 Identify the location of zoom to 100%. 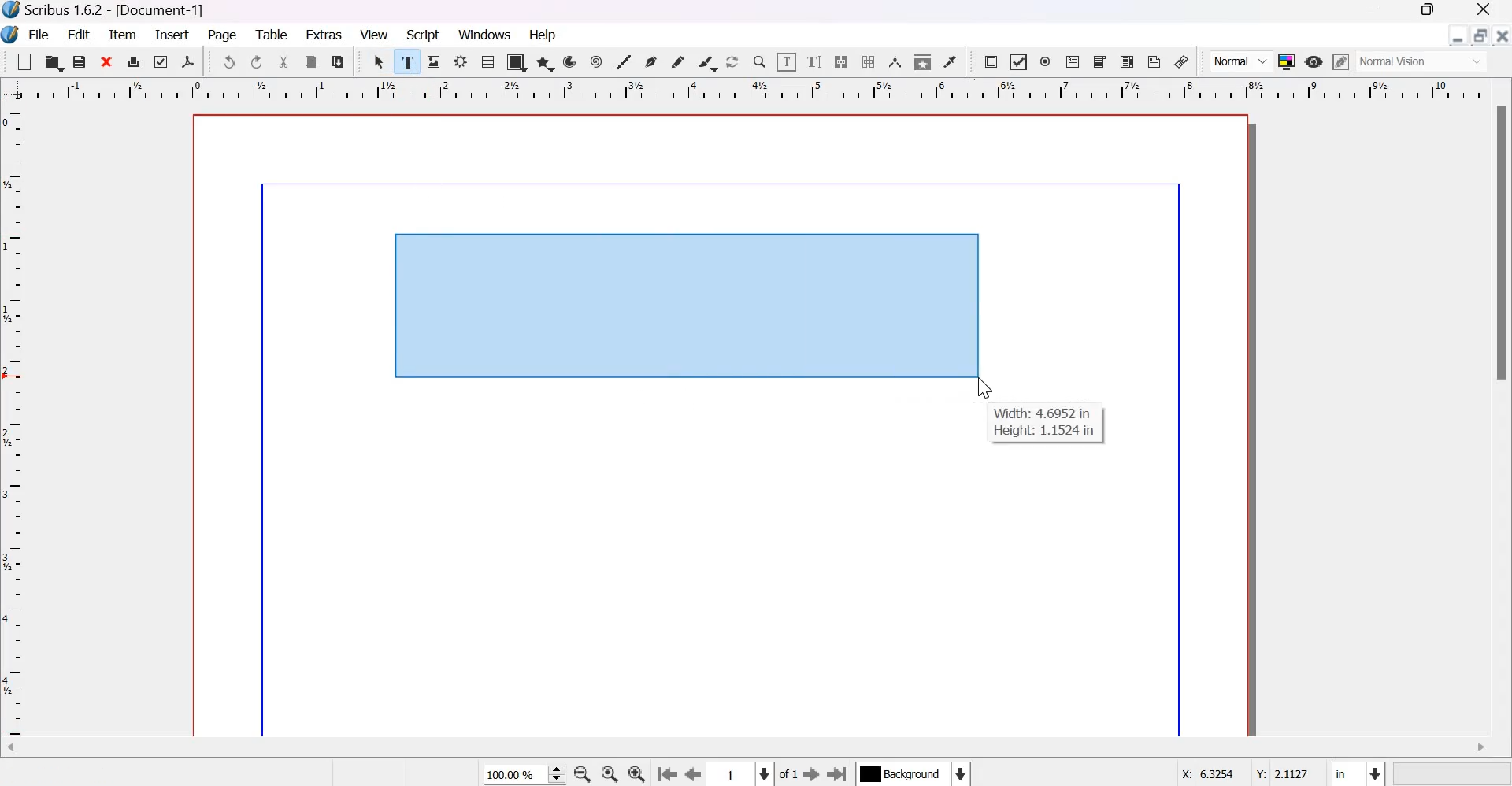
(611, 774).